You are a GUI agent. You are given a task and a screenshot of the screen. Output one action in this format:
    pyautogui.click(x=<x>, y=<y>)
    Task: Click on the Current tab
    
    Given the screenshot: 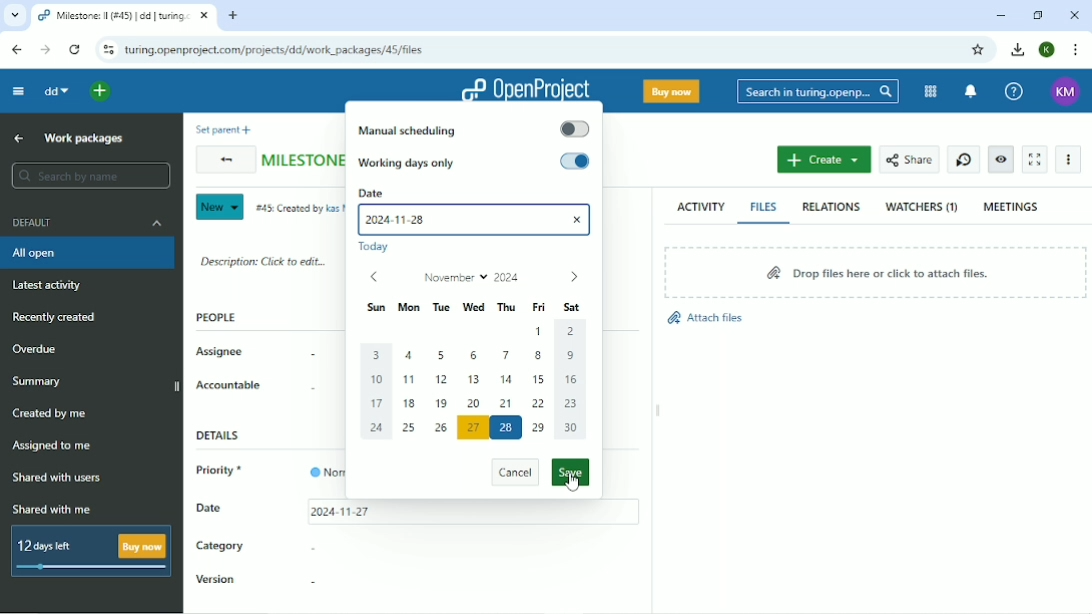 What is the action you would take?
    pyautogui.click(x=122, y=16)
    